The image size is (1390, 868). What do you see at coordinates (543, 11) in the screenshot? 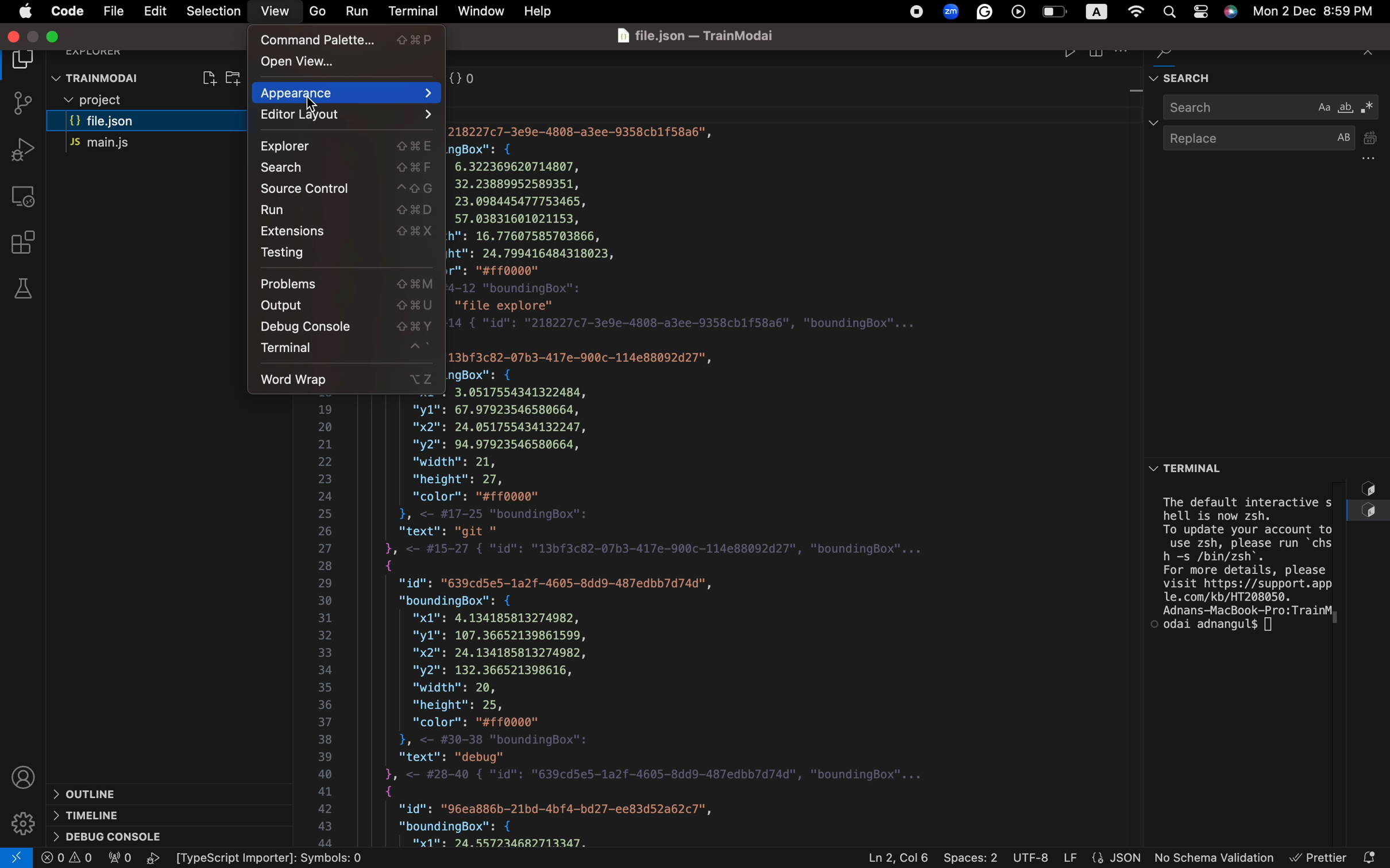
I see `help` at bounding box center [543, 11].